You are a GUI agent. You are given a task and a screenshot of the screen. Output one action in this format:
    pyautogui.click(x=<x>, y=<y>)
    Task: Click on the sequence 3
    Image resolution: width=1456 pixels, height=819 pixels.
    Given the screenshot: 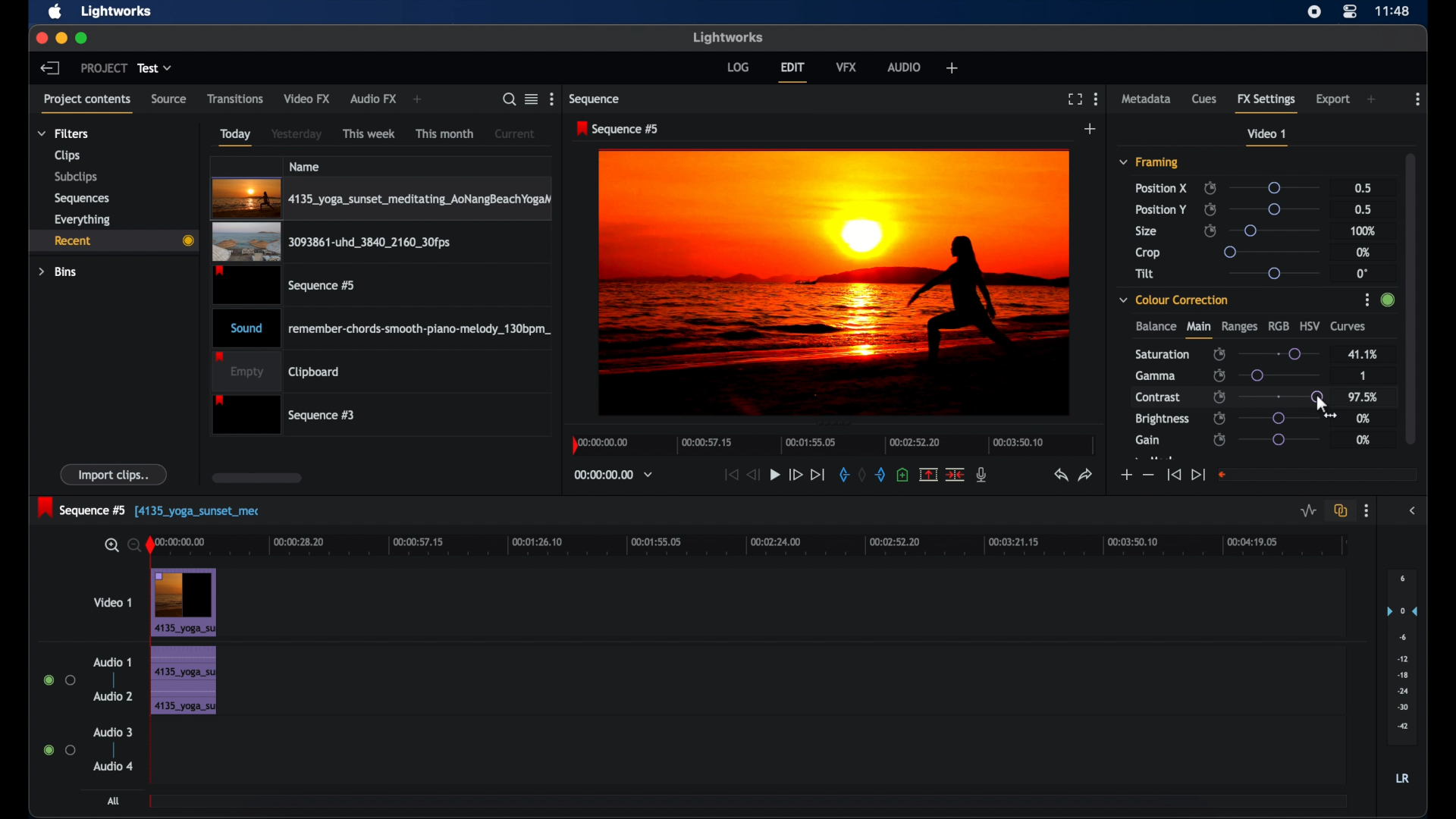 What is the action you would take?
    pyautogui.click(x=284, y=414)
    